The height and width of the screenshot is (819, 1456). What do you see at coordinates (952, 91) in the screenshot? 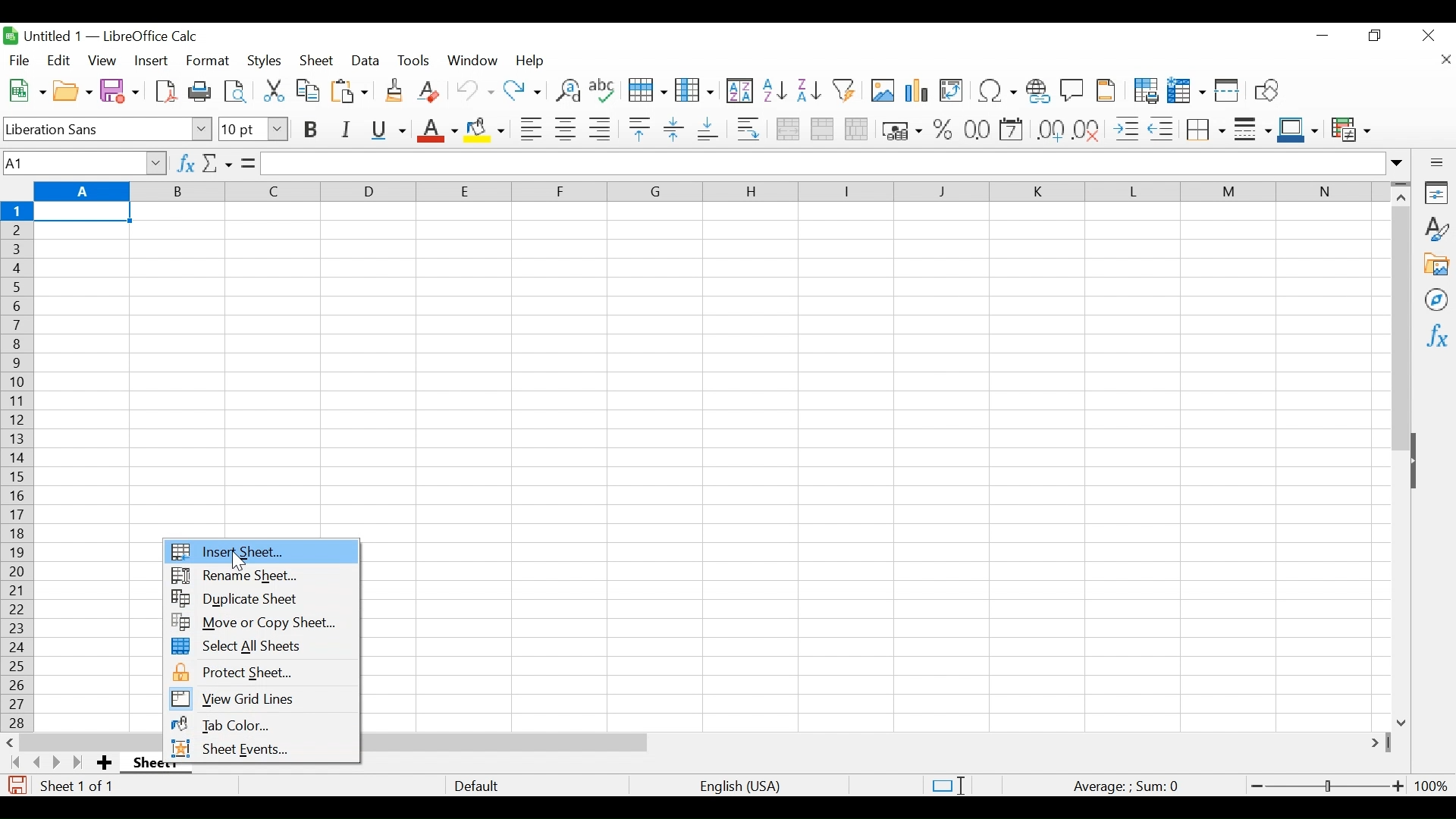
I see `Insert or Edit Pivot table` at bounding box center [952, 91].